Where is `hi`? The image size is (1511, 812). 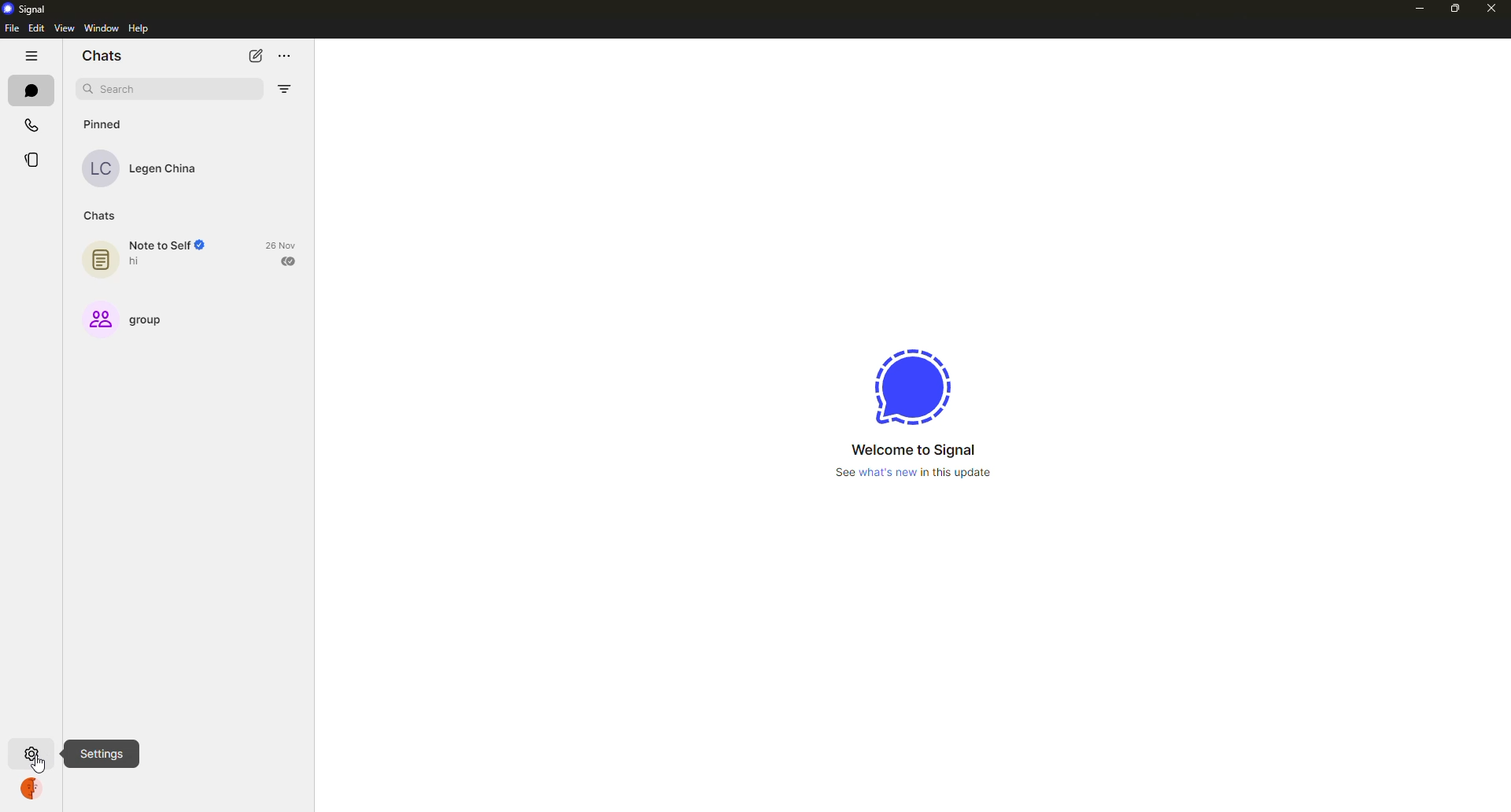 hi is located at coordinates (137, 262).